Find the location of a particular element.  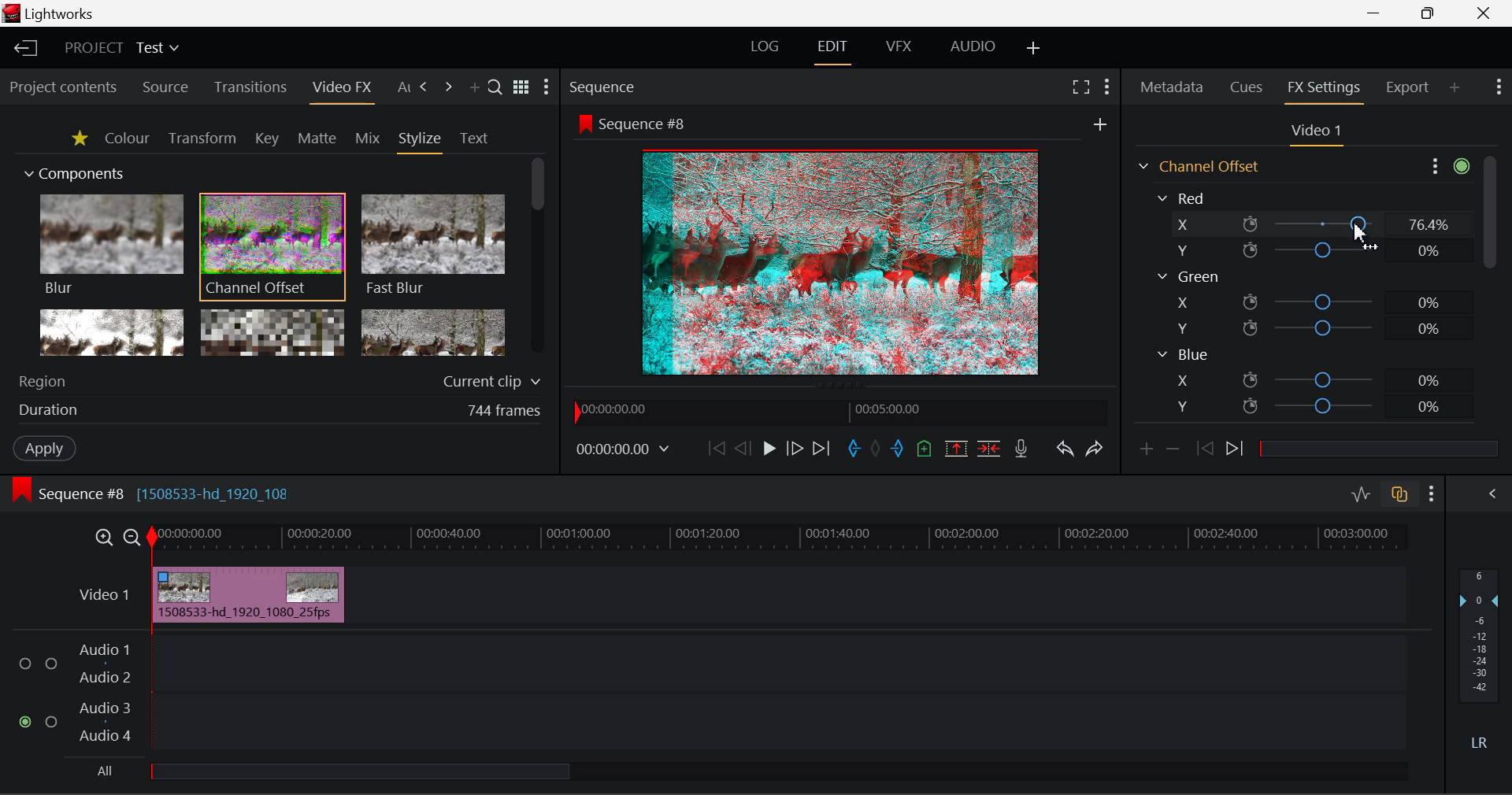

To Start is located at coordinates (717, 447).